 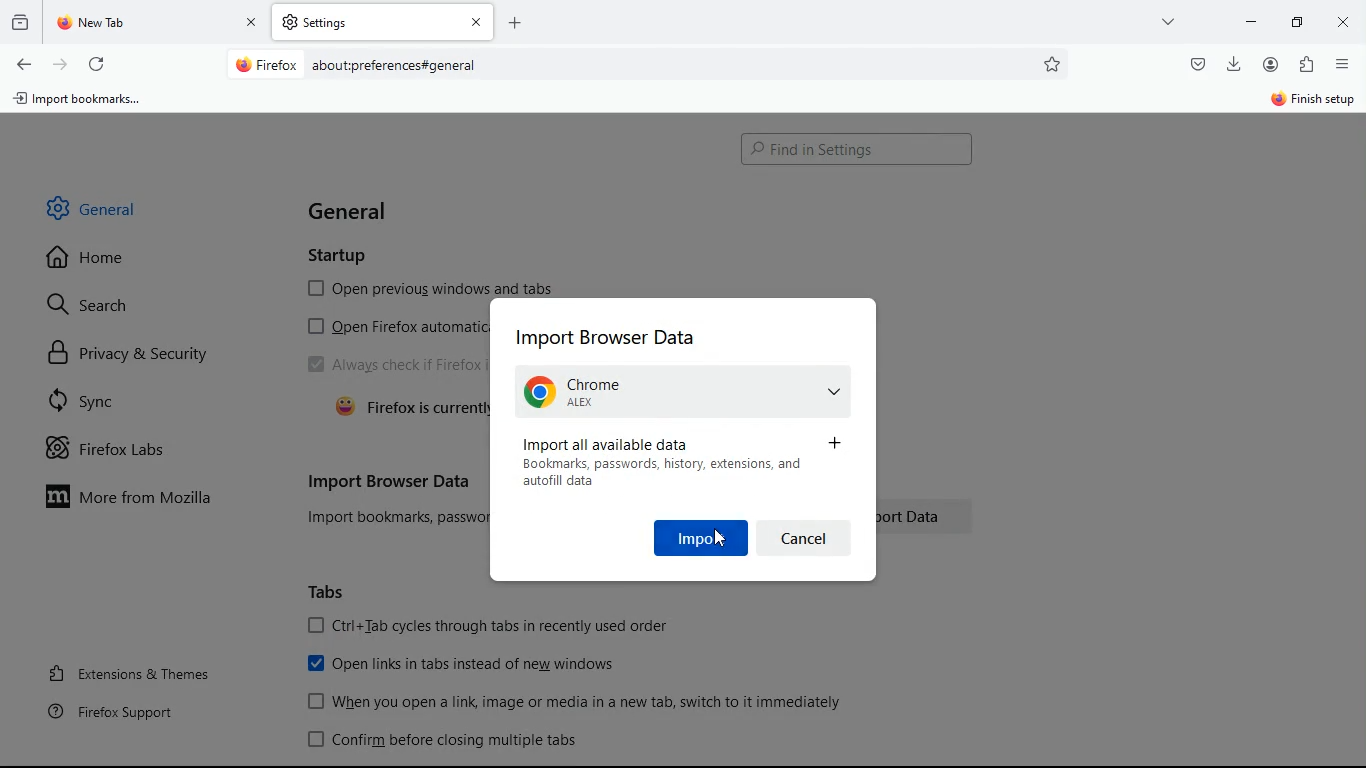 I want to click on firefox support, so click(x=122, y=711).